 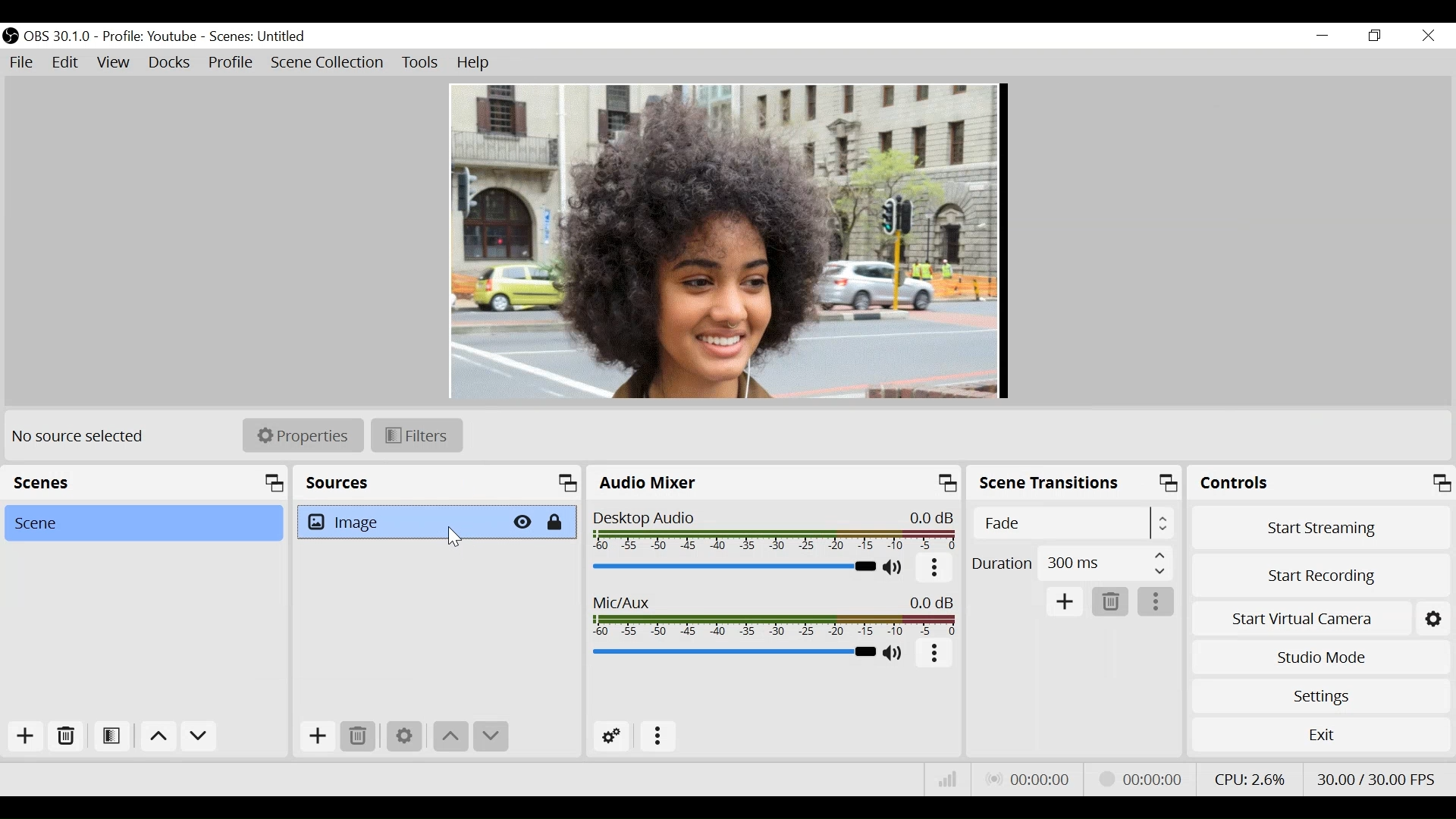 I want to click on Live Status, so click(x=1040, y=779).